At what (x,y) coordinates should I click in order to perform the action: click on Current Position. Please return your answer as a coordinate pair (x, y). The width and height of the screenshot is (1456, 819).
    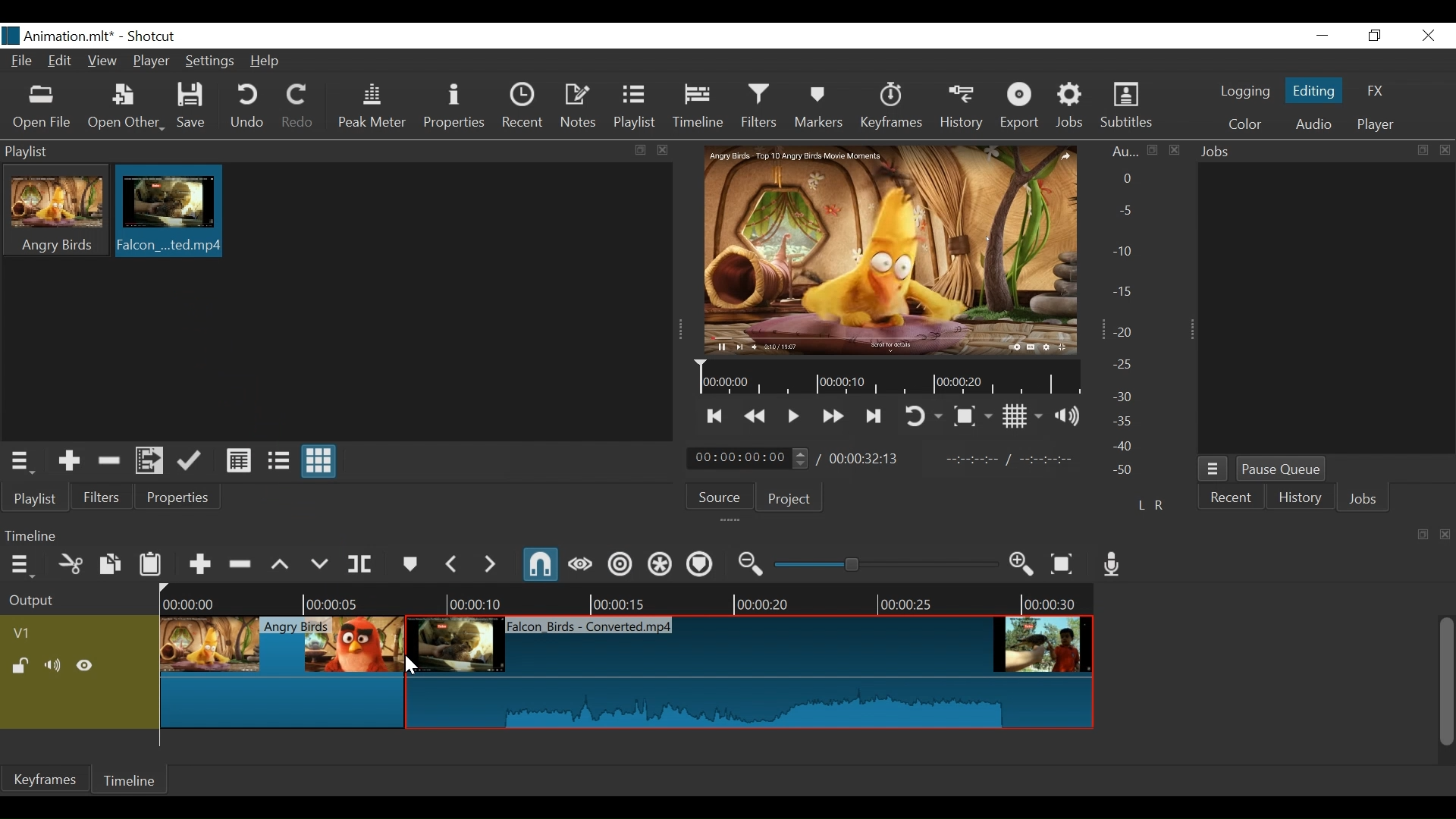
    Looking at the image, I should click on (748, 459).